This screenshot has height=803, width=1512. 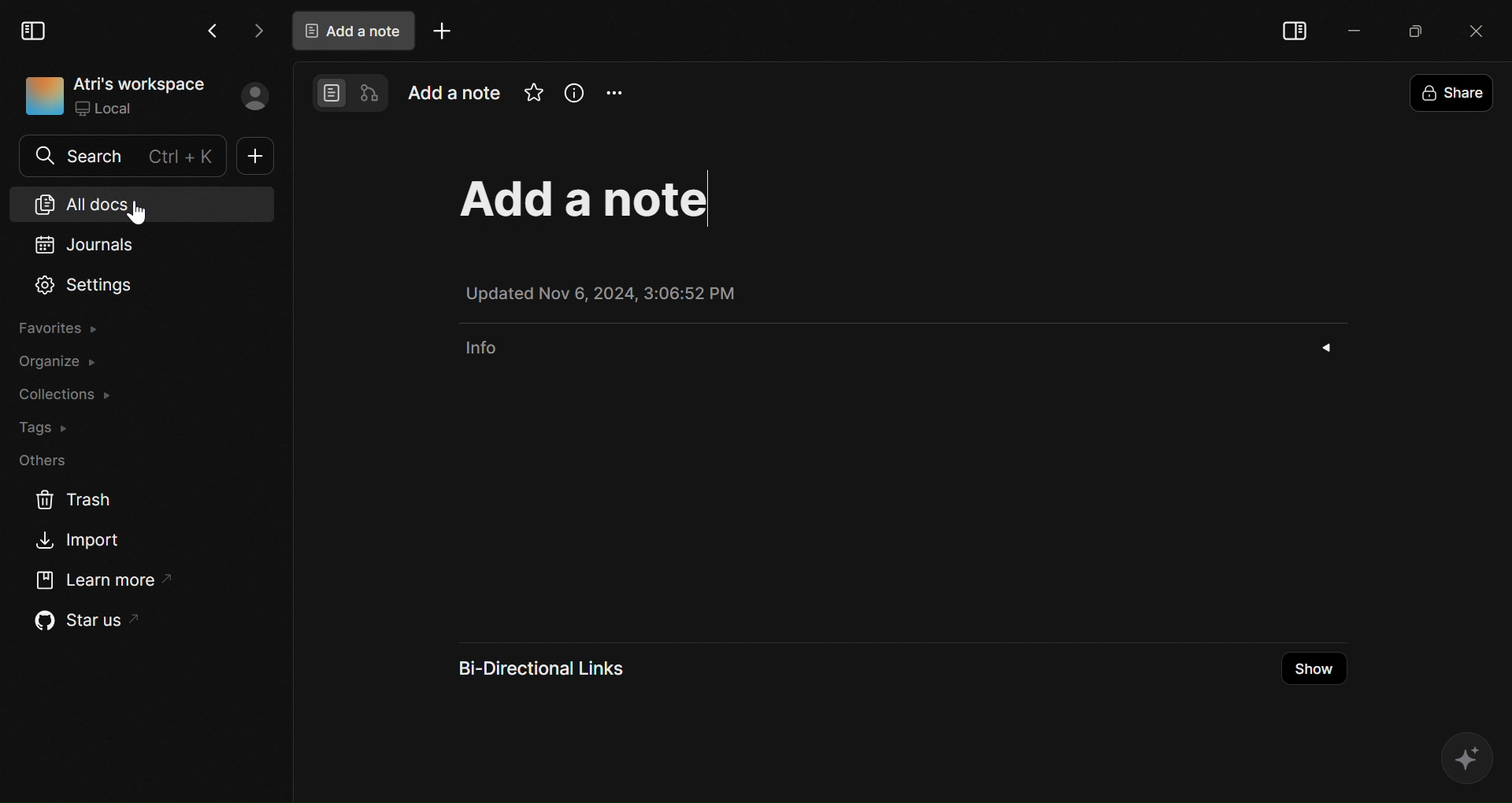 What do you see at coordinates (80, 620) in the screenshot?
I see `Star us` at bounding box center [80, 620].